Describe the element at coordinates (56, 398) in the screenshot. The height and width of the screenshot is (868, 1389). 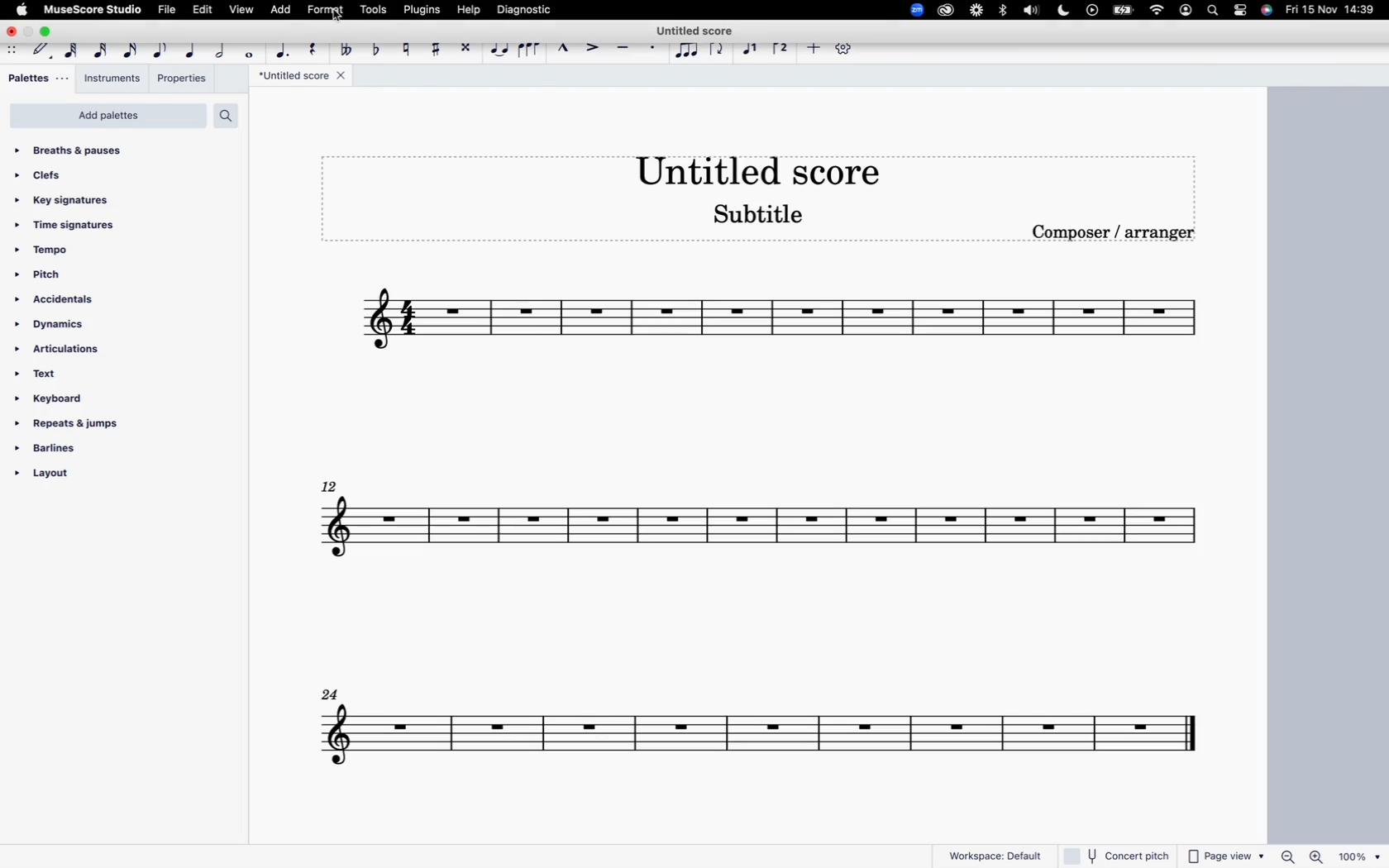
I see `keyboard` at that location.